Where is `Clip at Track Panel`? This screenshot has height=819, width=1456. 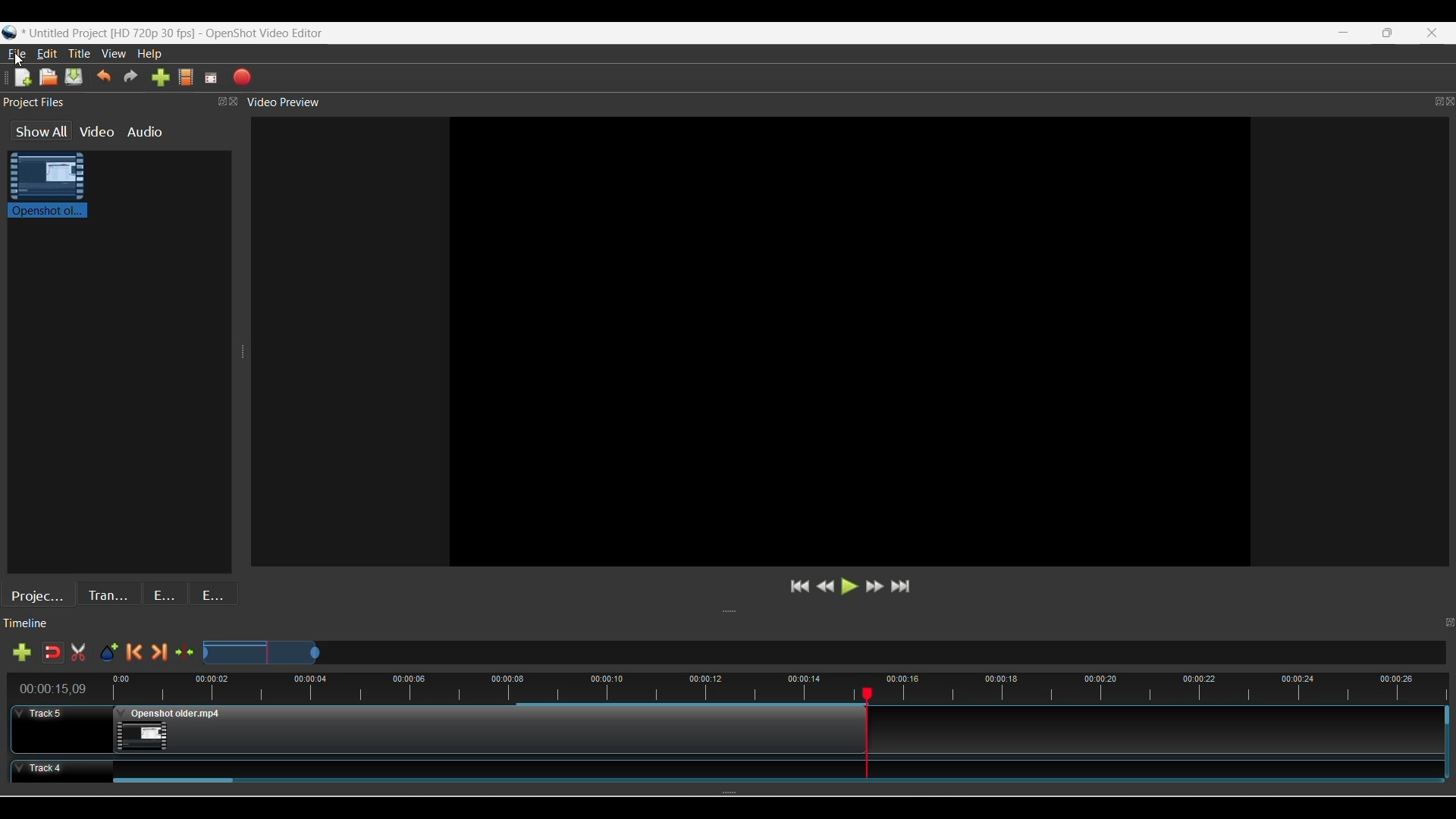 Clip at Track Panel is located at coordinates (762, 767).